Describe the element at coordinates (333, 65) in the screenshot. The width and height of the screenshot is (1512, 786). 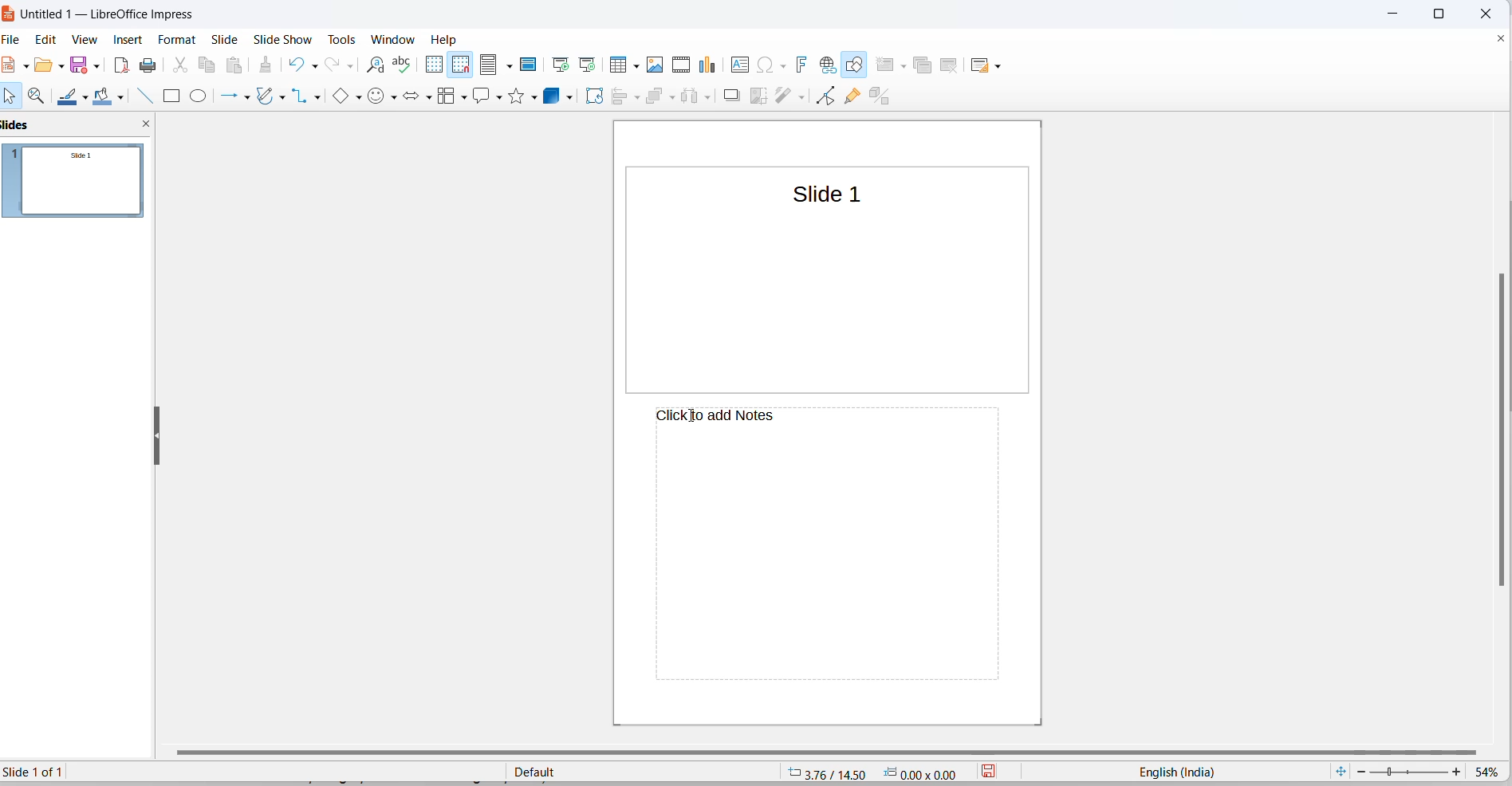
I see `redo ` at that location.